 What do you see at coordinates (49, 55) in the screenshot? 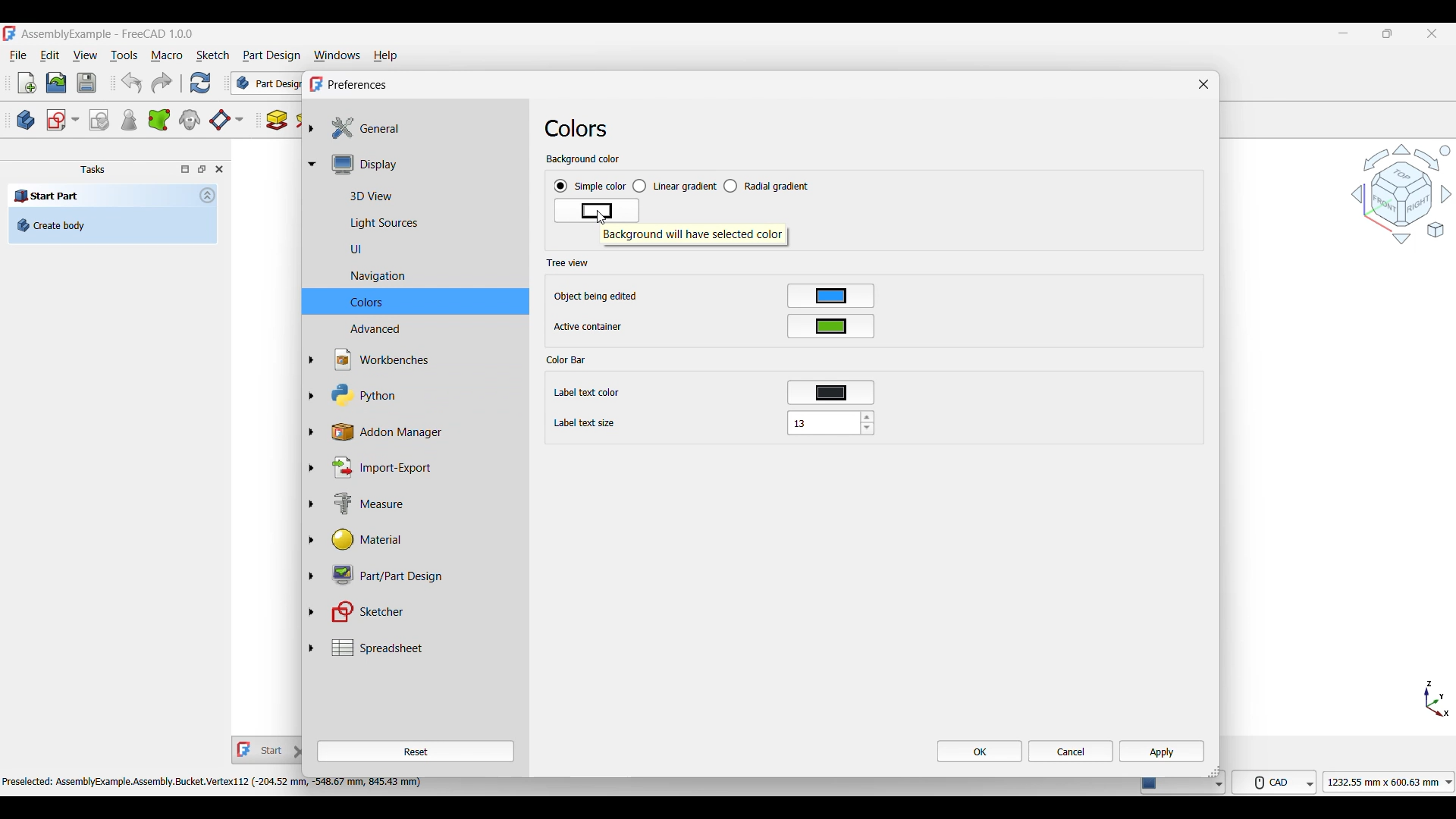
I see `Edit menu` at bounding box center [49, 55].